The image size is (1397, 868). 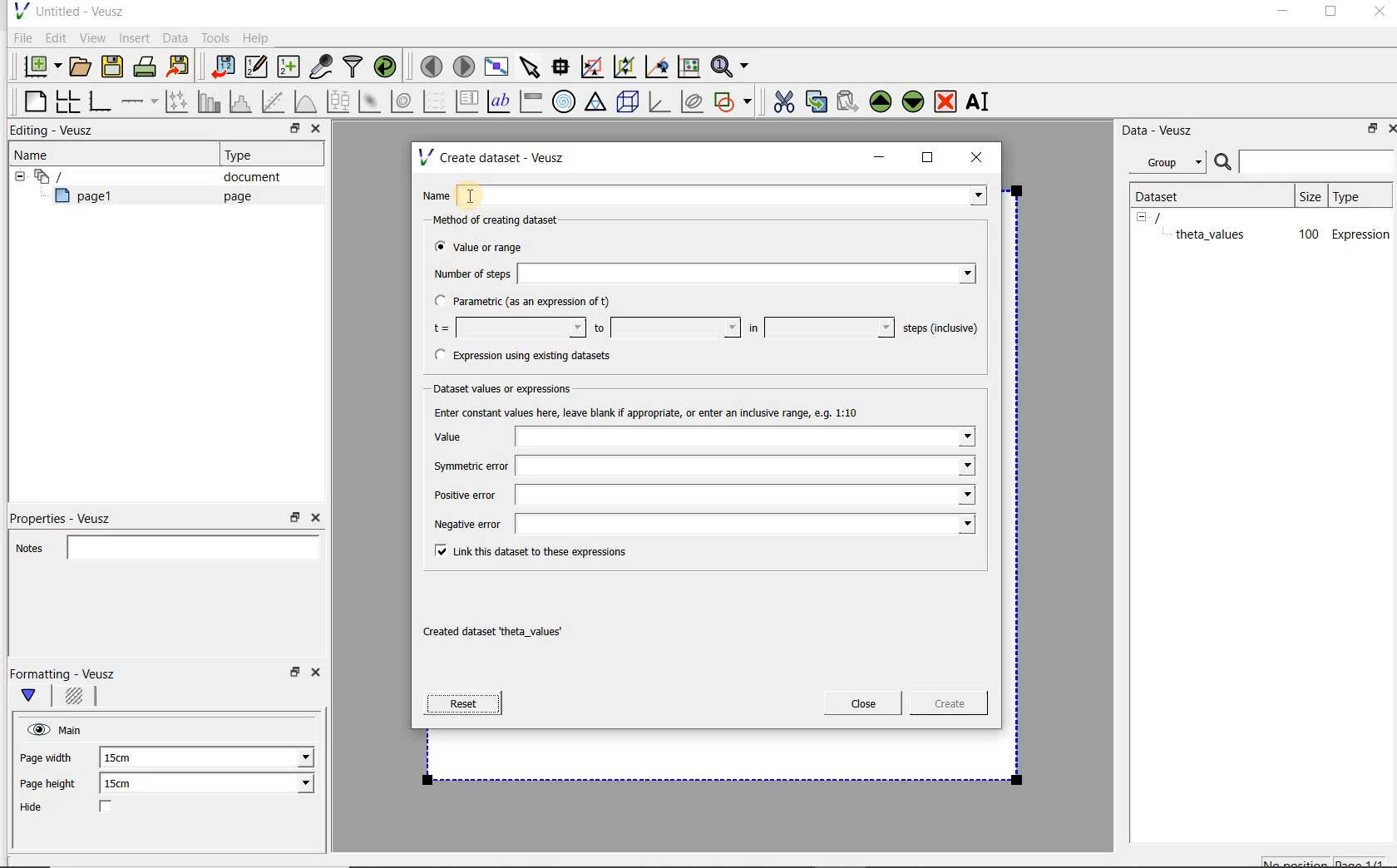 I want to click on Properties - Veusz, so click(x=69, y=515).